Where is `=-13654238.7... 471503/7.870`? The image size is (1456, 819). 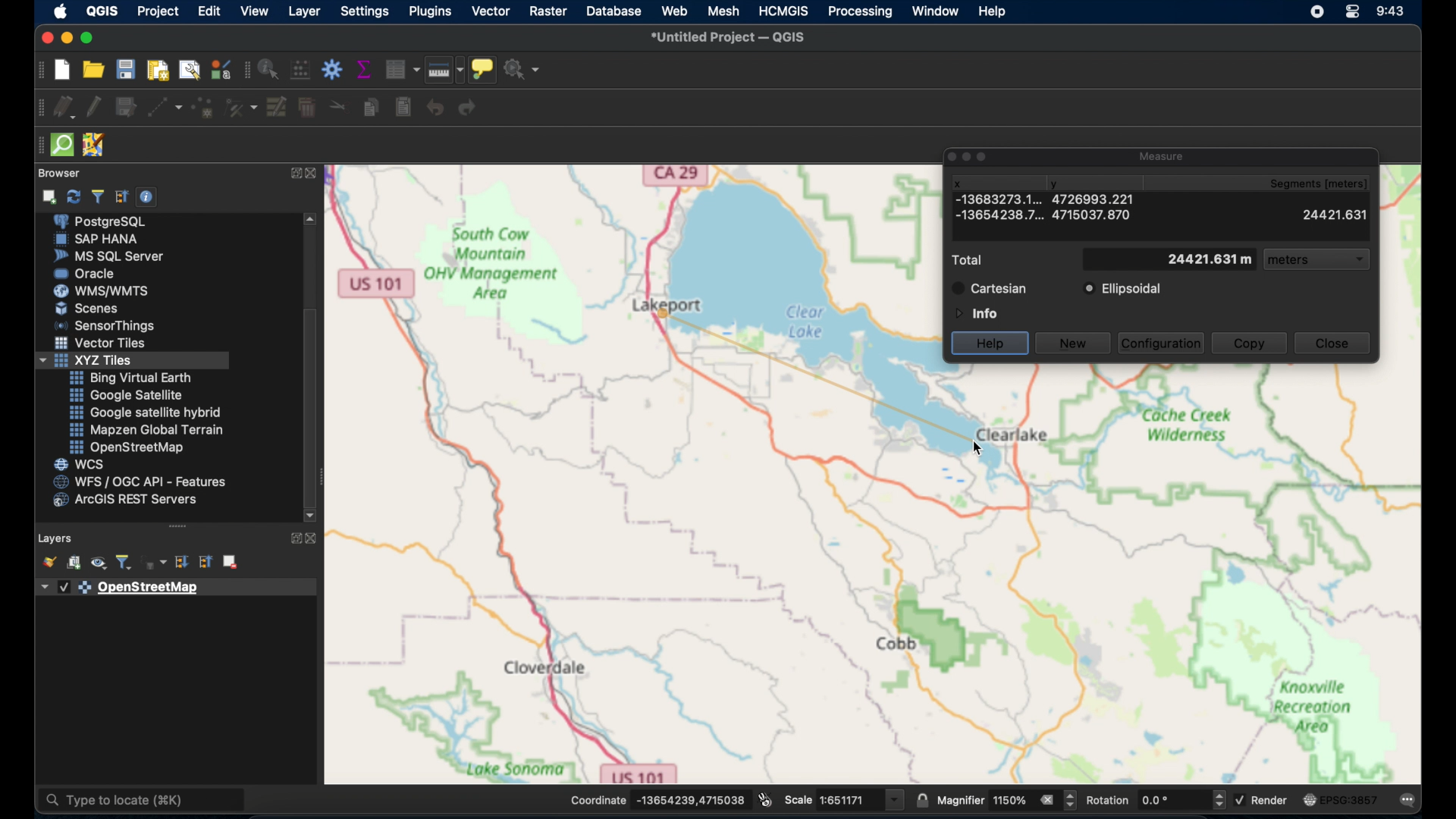 =-13654238.7... 471503/7.870 is located at coordinates (1044, 216).